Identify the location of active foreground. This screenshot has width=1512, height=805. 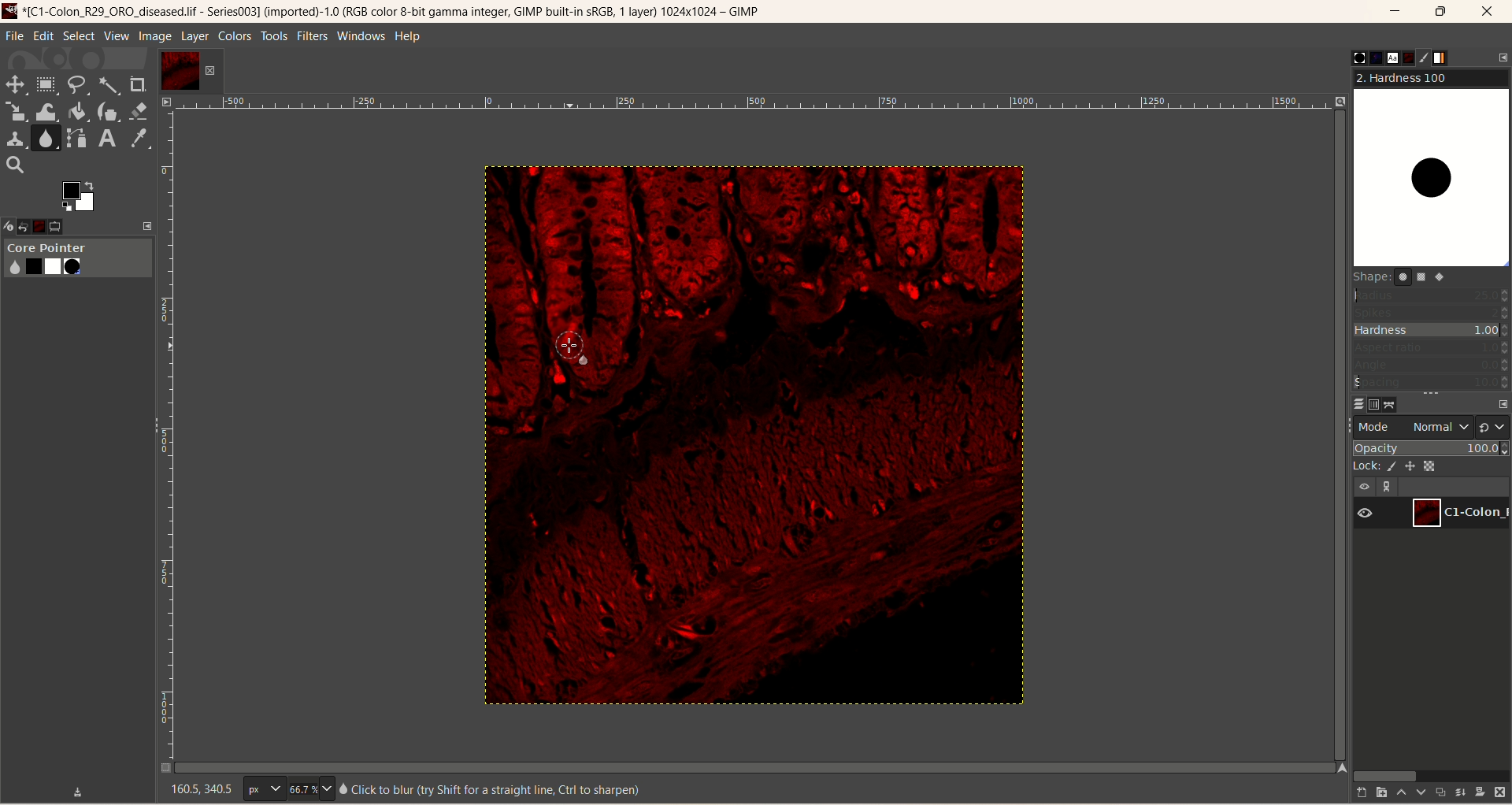
(80, 196).